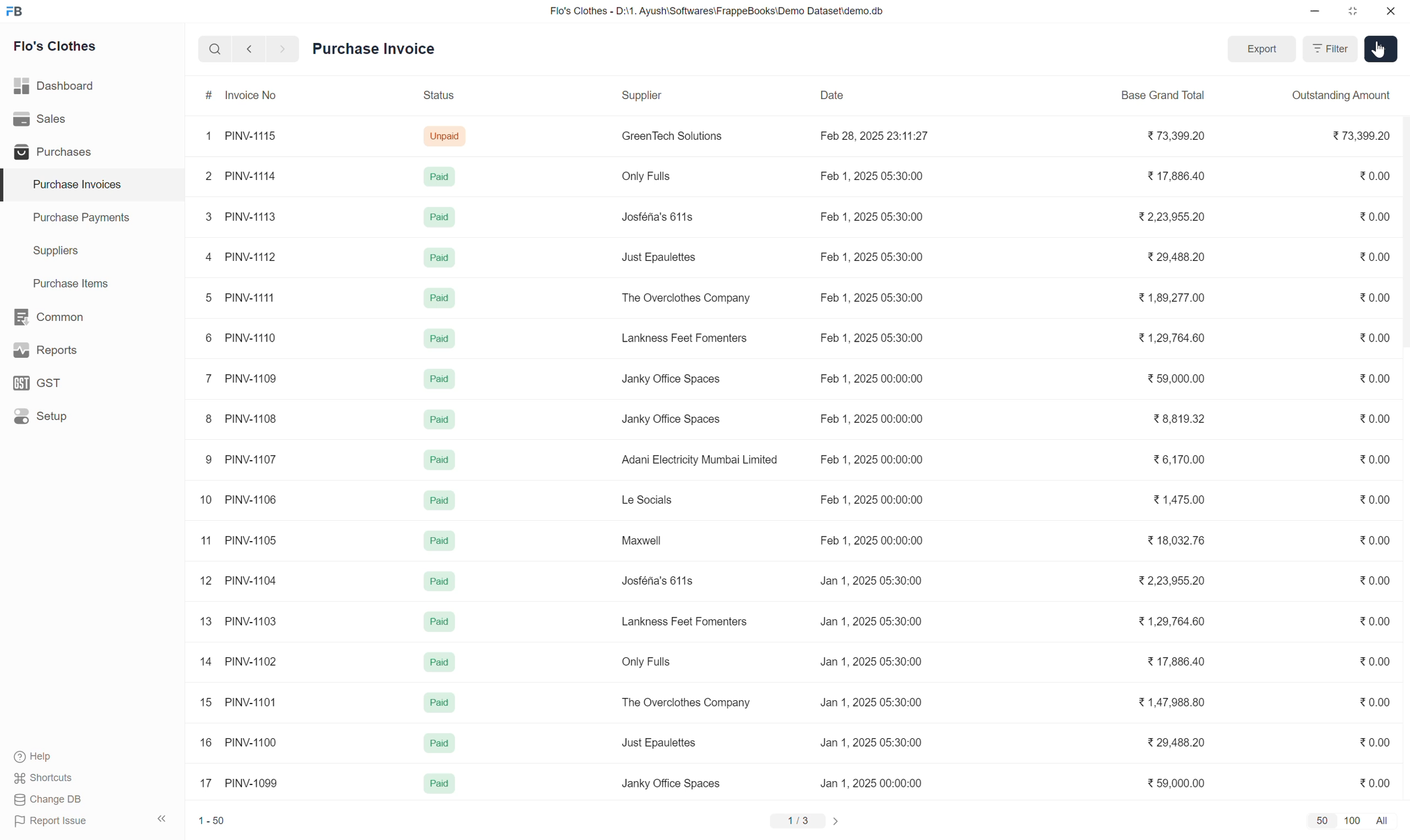 This screenshot has height=840, width=1410. What do you see at coordinates (253, 382) in the screenshot?
I see `PINV-1109` at bounding box center [253, 382].